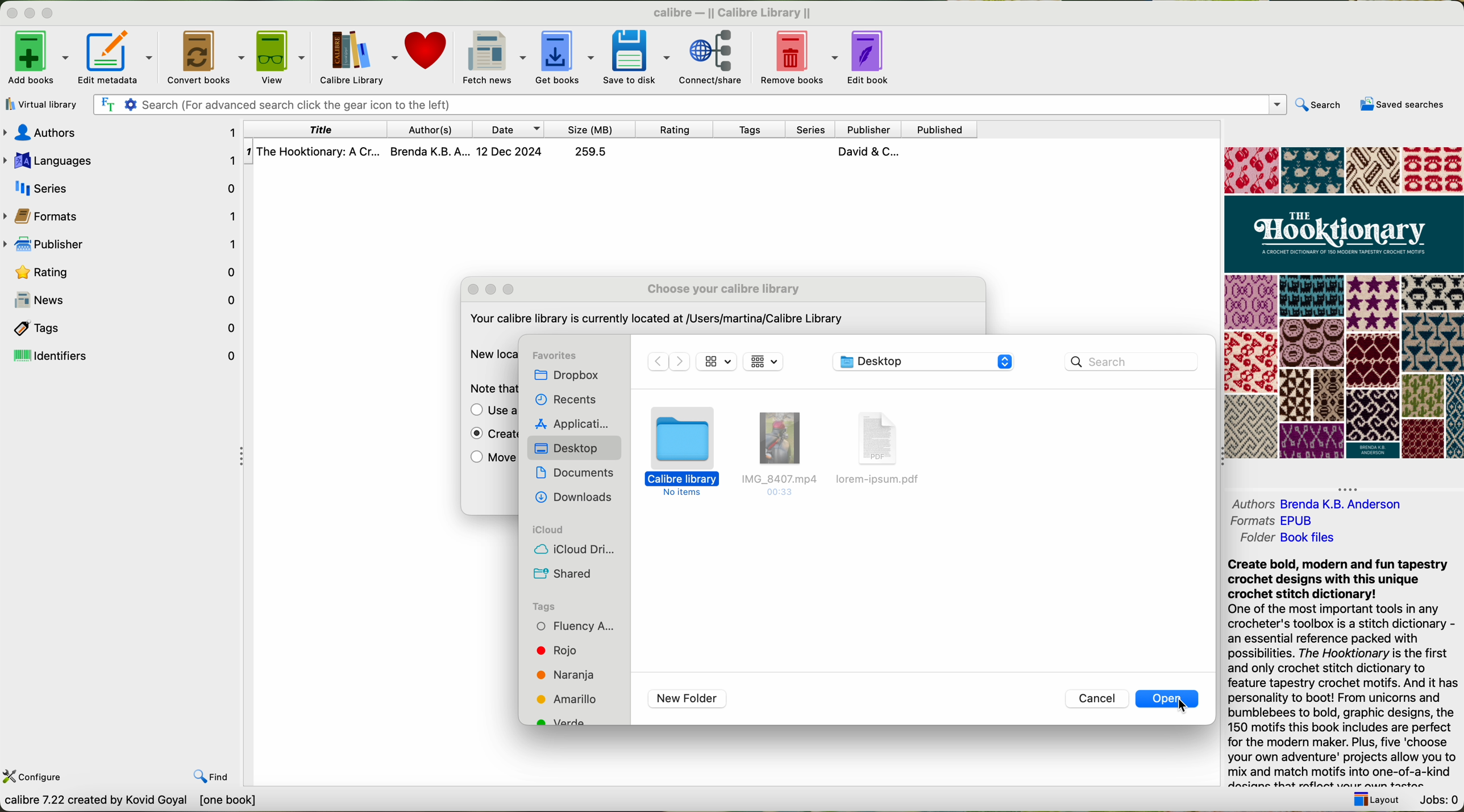  I want to click on news, so click(131, 300).